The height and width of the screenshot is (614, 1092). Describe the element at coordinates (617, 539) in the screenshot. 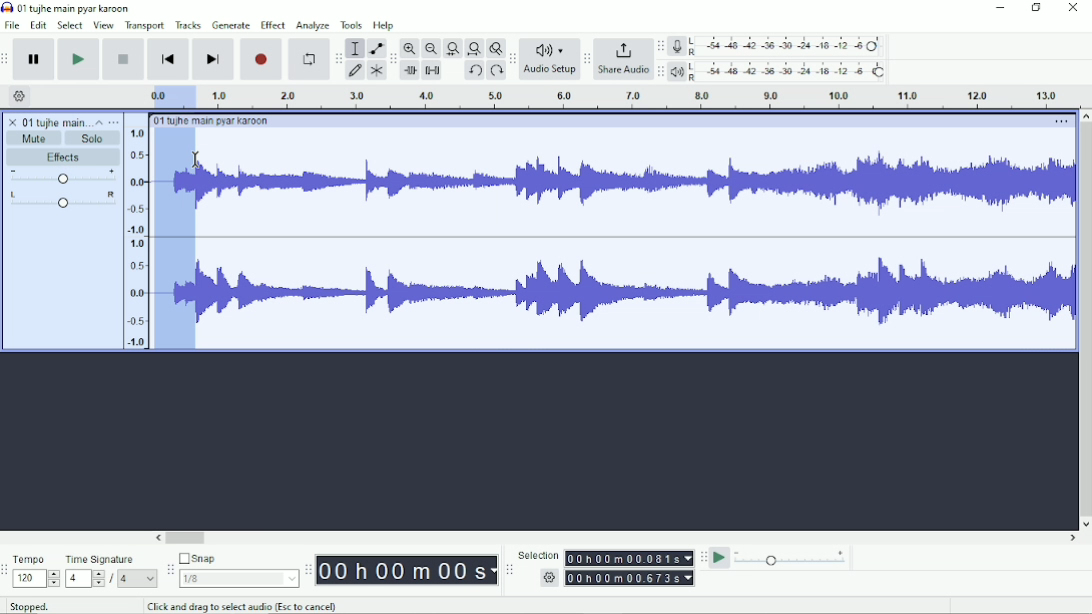

I see `Horizontal scrollbar` at that location.